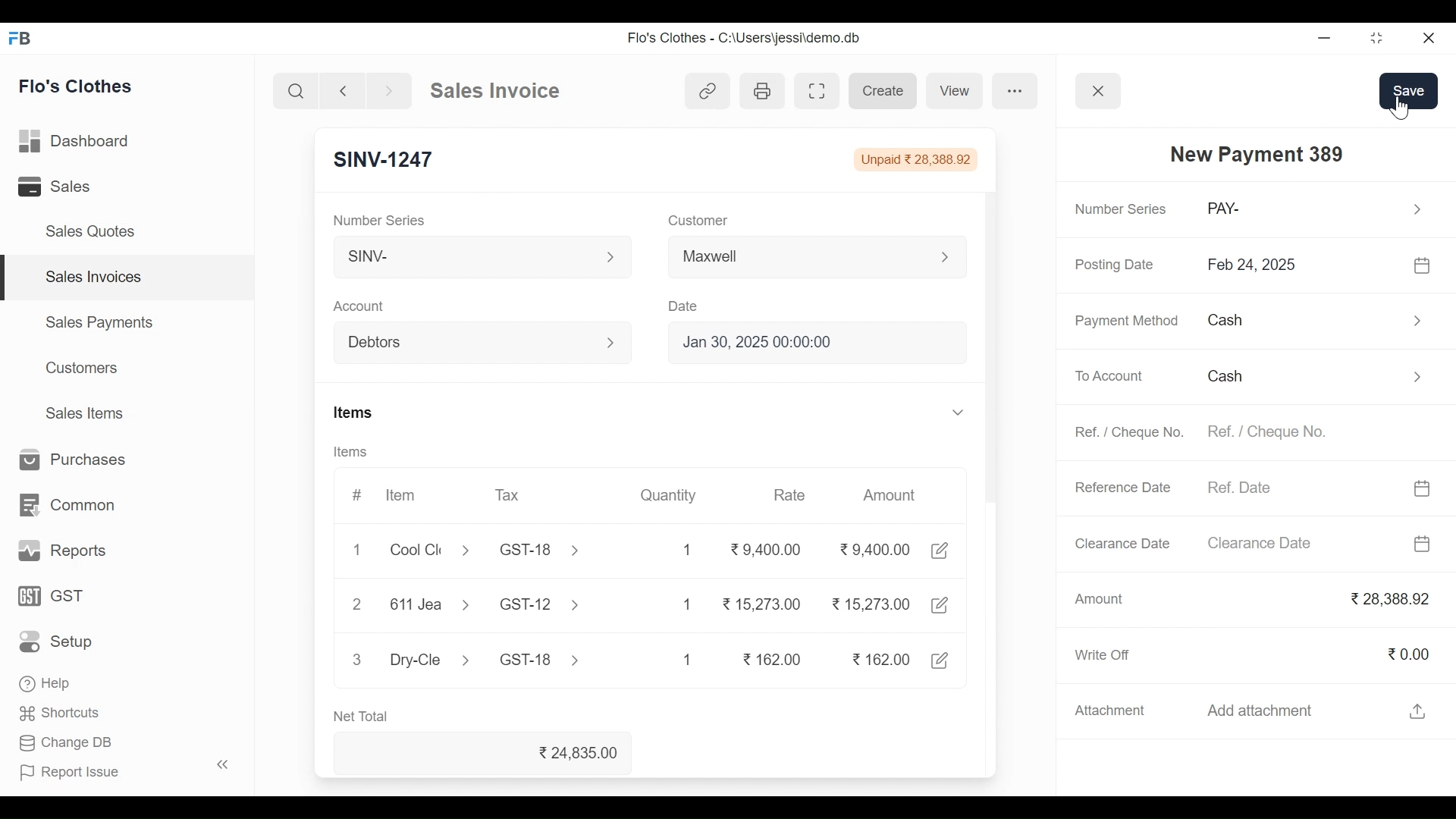 The width and height of the screenshot is (1456, 819). What do you see at coordinates (1098, 88) in the screenshot?
I see `Close` at bounding box center [1098, 88].